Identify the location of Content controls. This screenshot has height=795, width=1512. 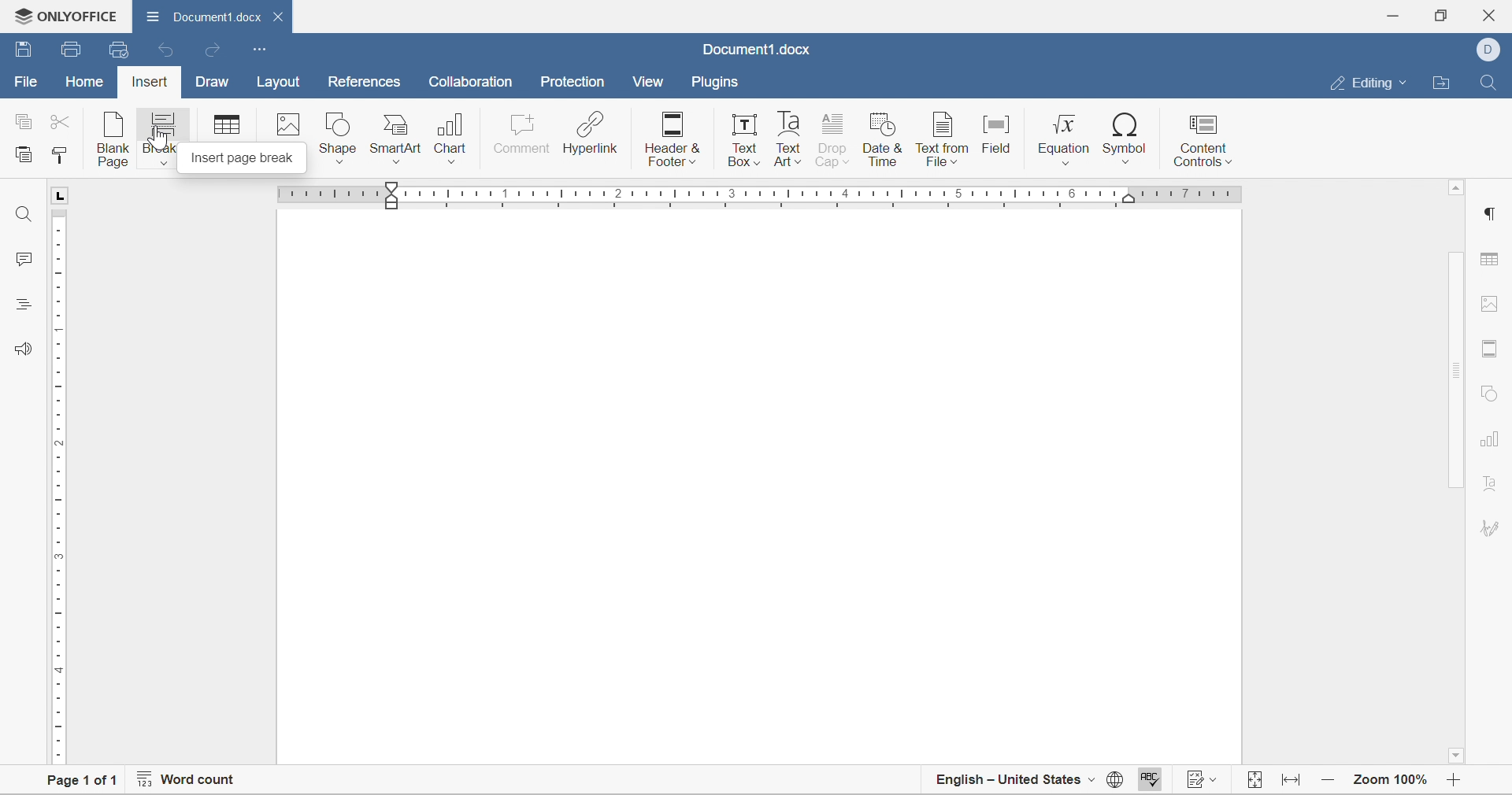
(1201, 138).